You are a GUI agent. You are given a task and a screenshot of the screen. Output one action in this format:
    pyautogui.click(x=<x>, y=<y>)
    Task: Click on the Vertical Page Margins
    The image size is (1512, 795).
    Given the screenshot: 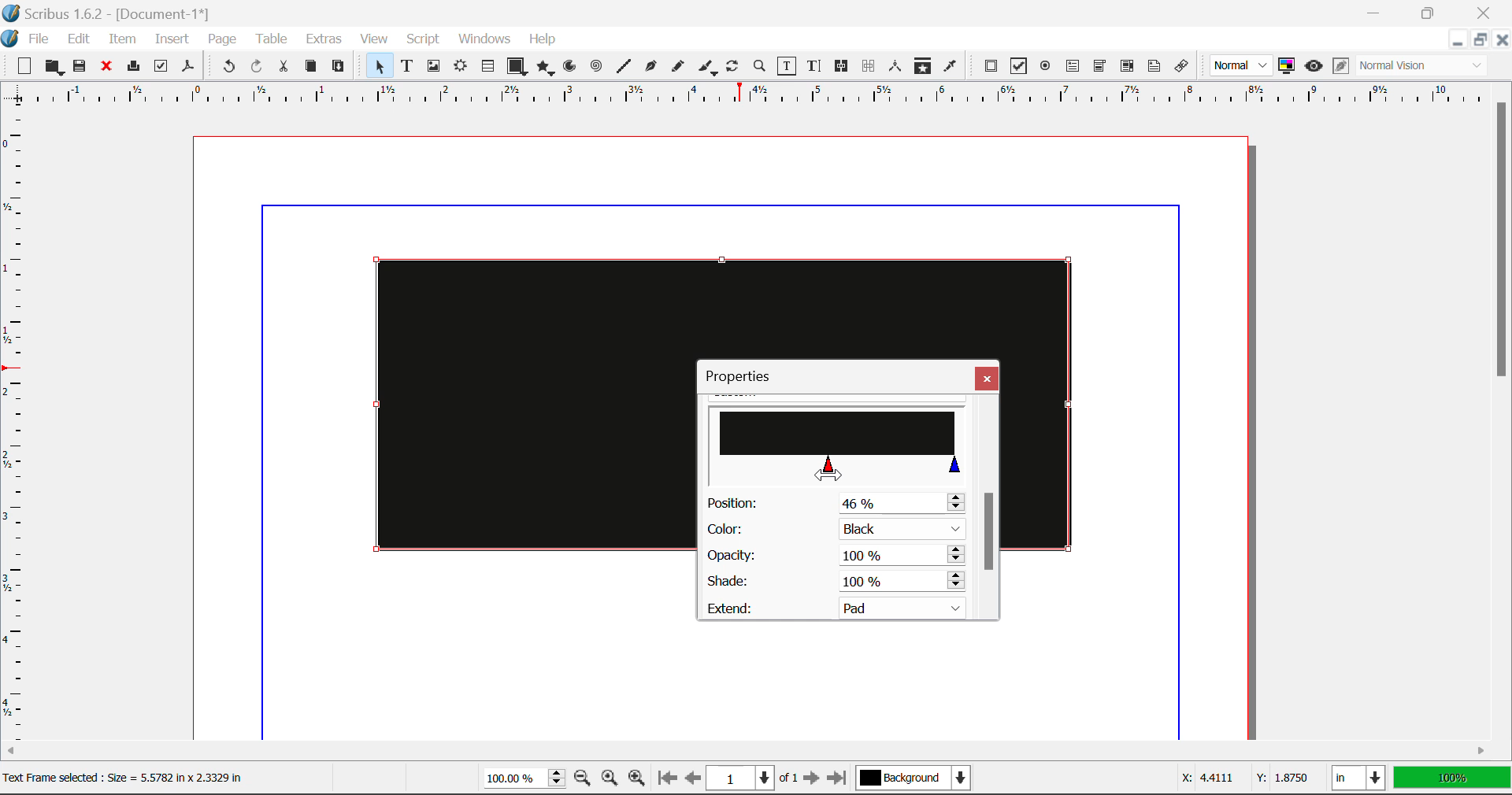 What is the action you would take?
    pyautogui.click(x=755, y=99)
    